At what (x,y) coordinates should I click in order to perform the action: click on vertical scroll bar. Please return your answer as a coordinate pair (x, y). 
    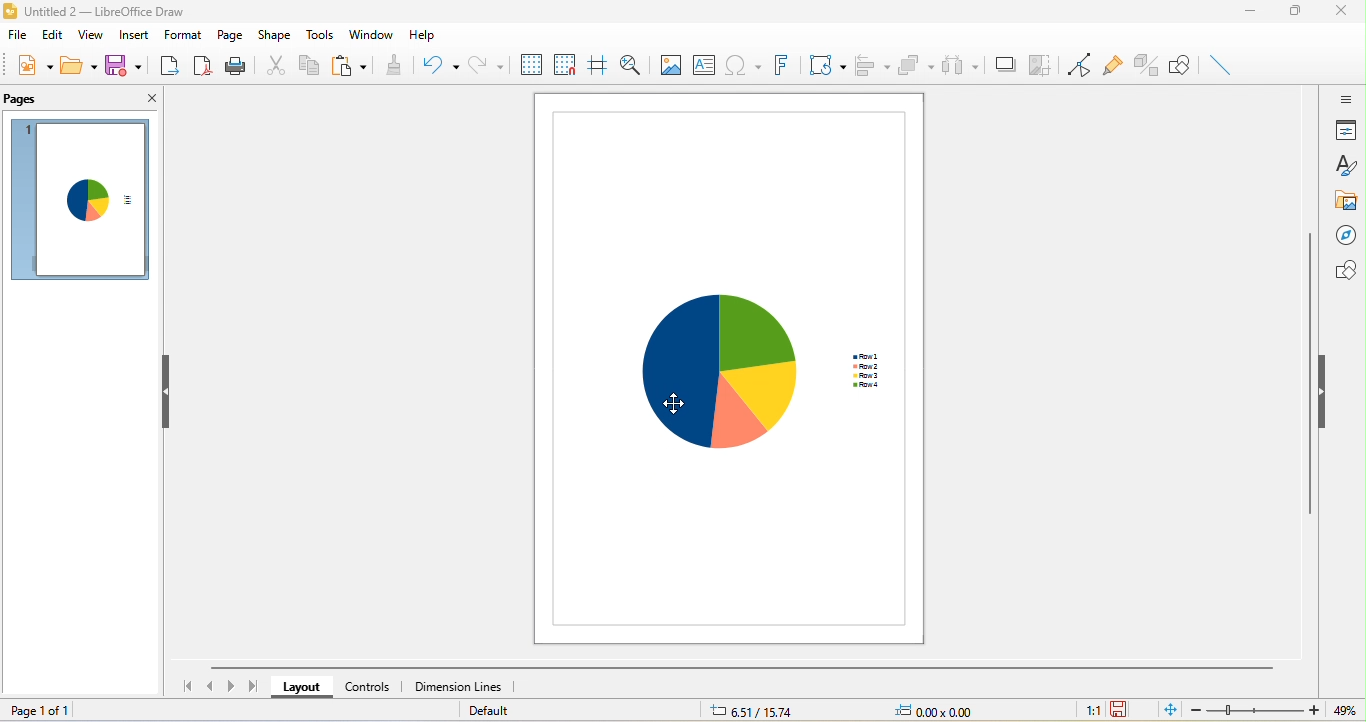
    Looking at the image, I should click on (1310, 380).